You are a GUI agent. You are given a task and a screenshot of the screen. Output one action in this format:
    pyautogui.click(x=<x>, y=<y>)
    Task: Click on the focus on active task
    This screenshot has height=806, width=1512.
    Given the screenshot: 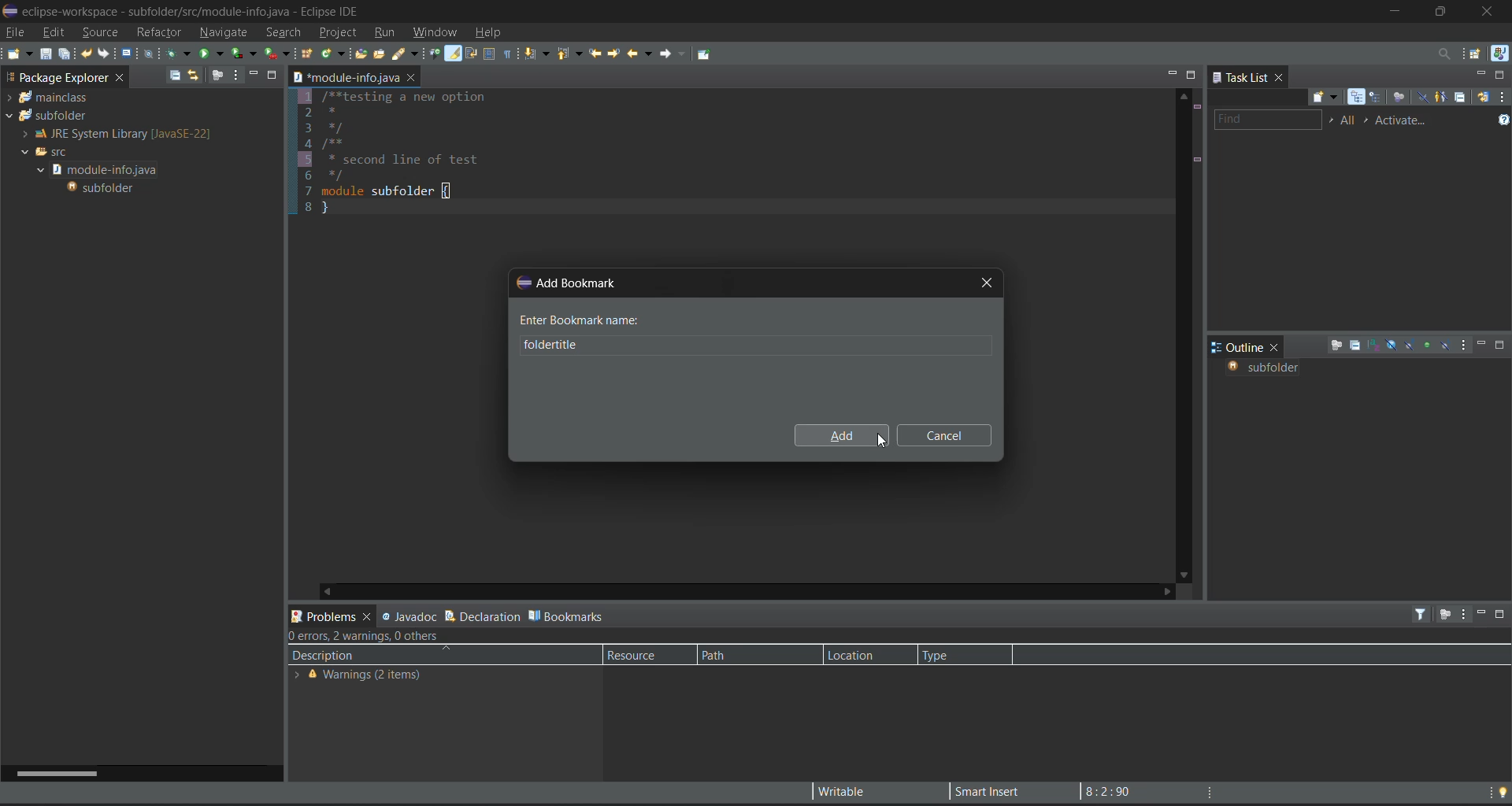 What is the action you would take?
    pyautogui.click(x=1336, y=346)
    